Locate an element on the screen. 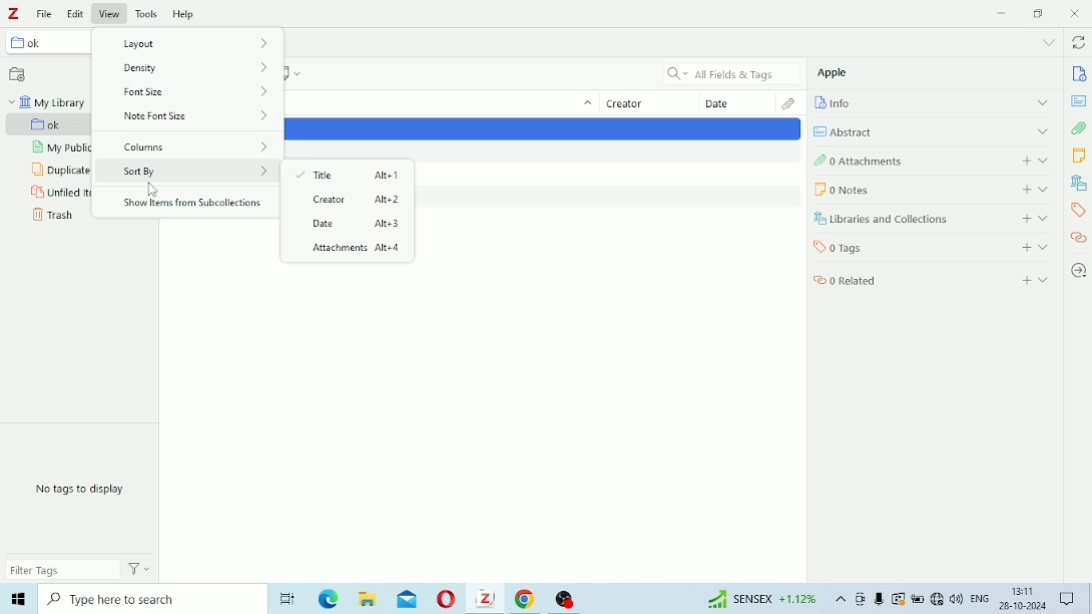 The width and height of the screenshot is (1092, 614). Date is located at coordinates (731, 104).